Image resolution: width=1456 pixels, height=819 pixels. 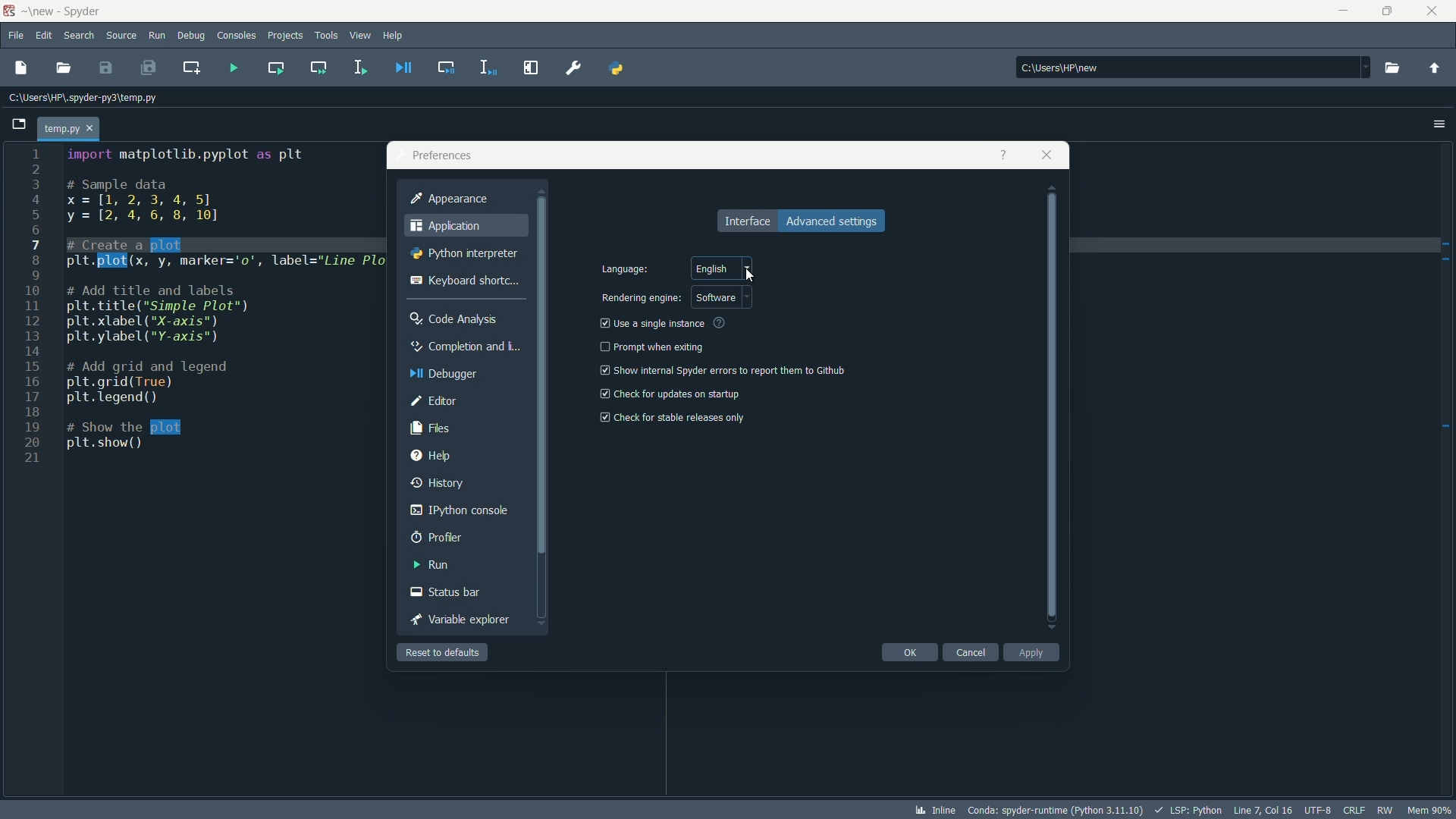 What do you see at coordinates (971, 653) in the screenshot?
I see `cancel` at bounding box center [971, 653].